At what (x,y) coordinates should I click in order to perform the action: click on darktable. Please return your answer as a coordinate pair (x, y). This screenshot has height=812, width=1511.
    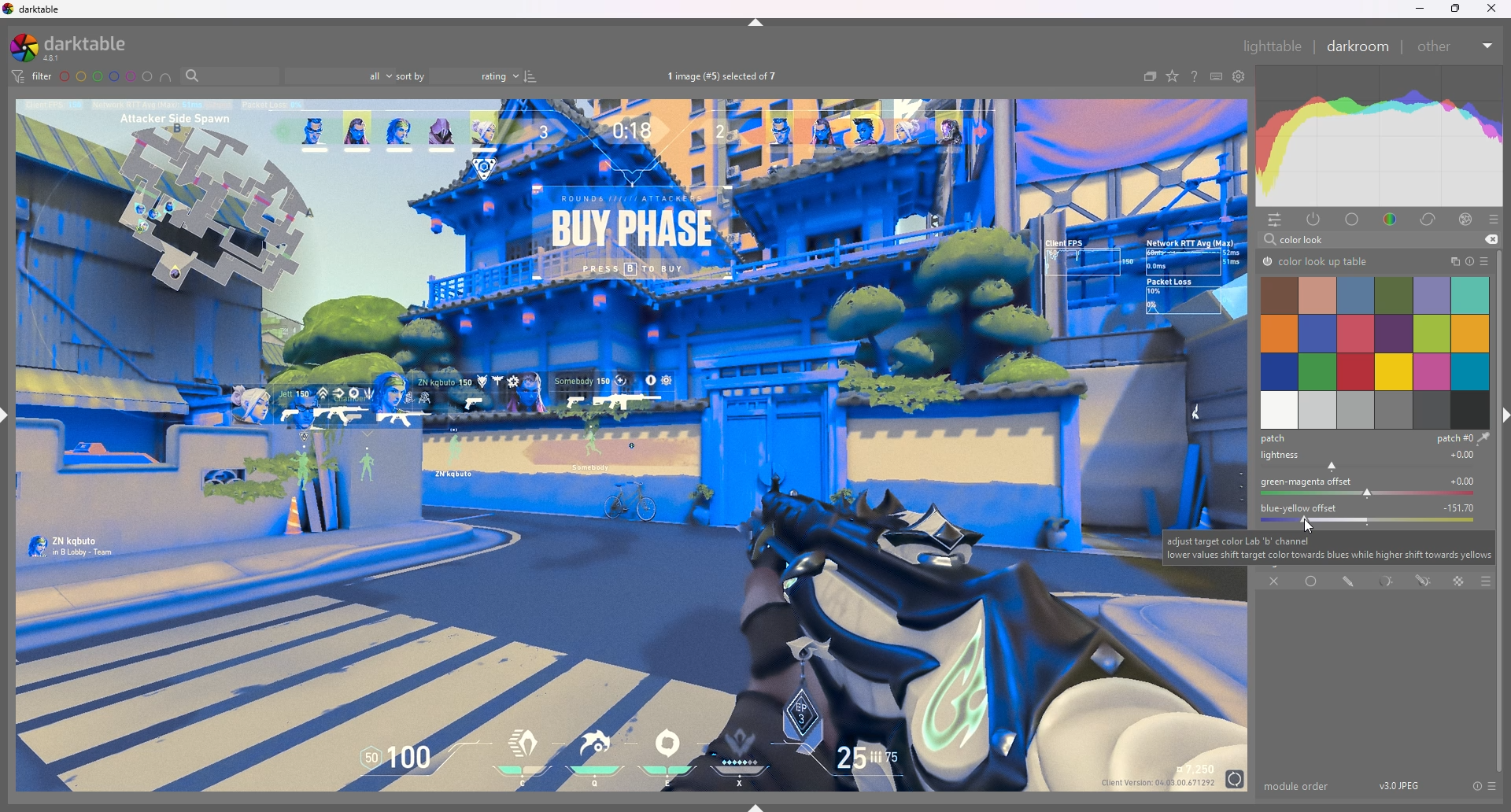
    Looking at the image, I should click on (75, 46).